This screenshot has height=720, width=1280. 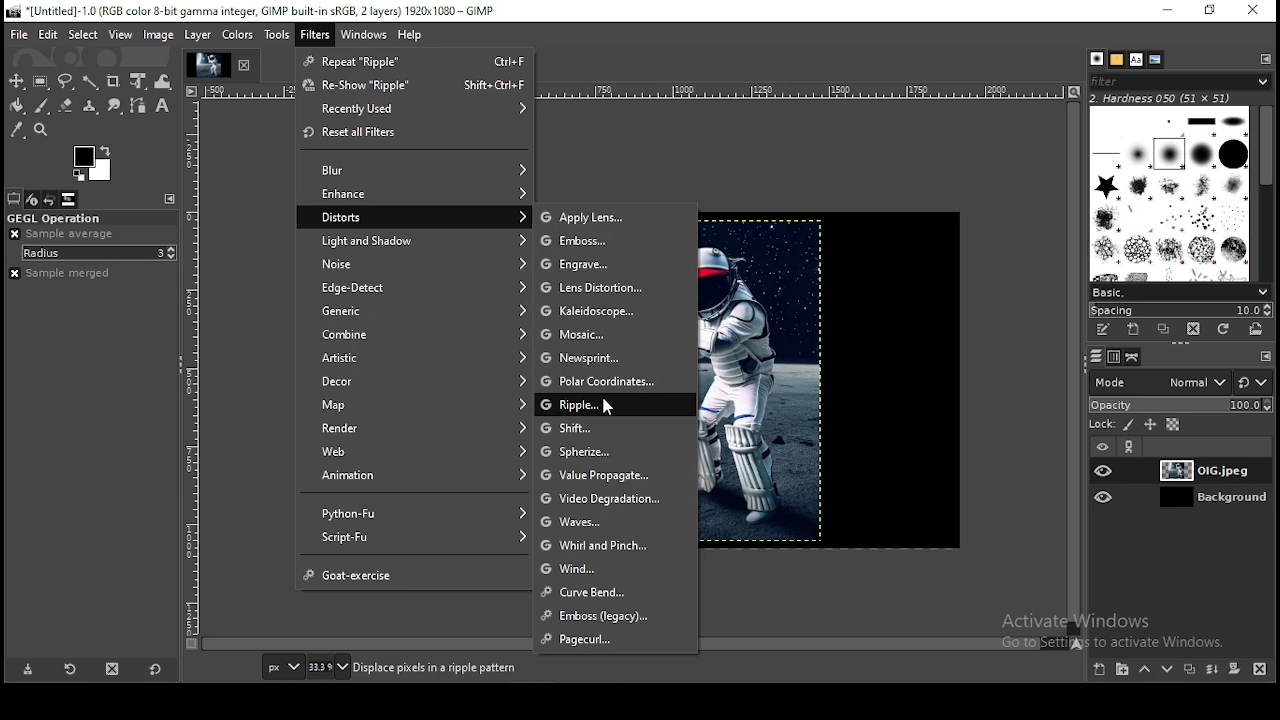 What do you see at coordinates (1253, 382) in the screenshot?
I see `switch to another group of modes` at bounding box center [1253, 382].